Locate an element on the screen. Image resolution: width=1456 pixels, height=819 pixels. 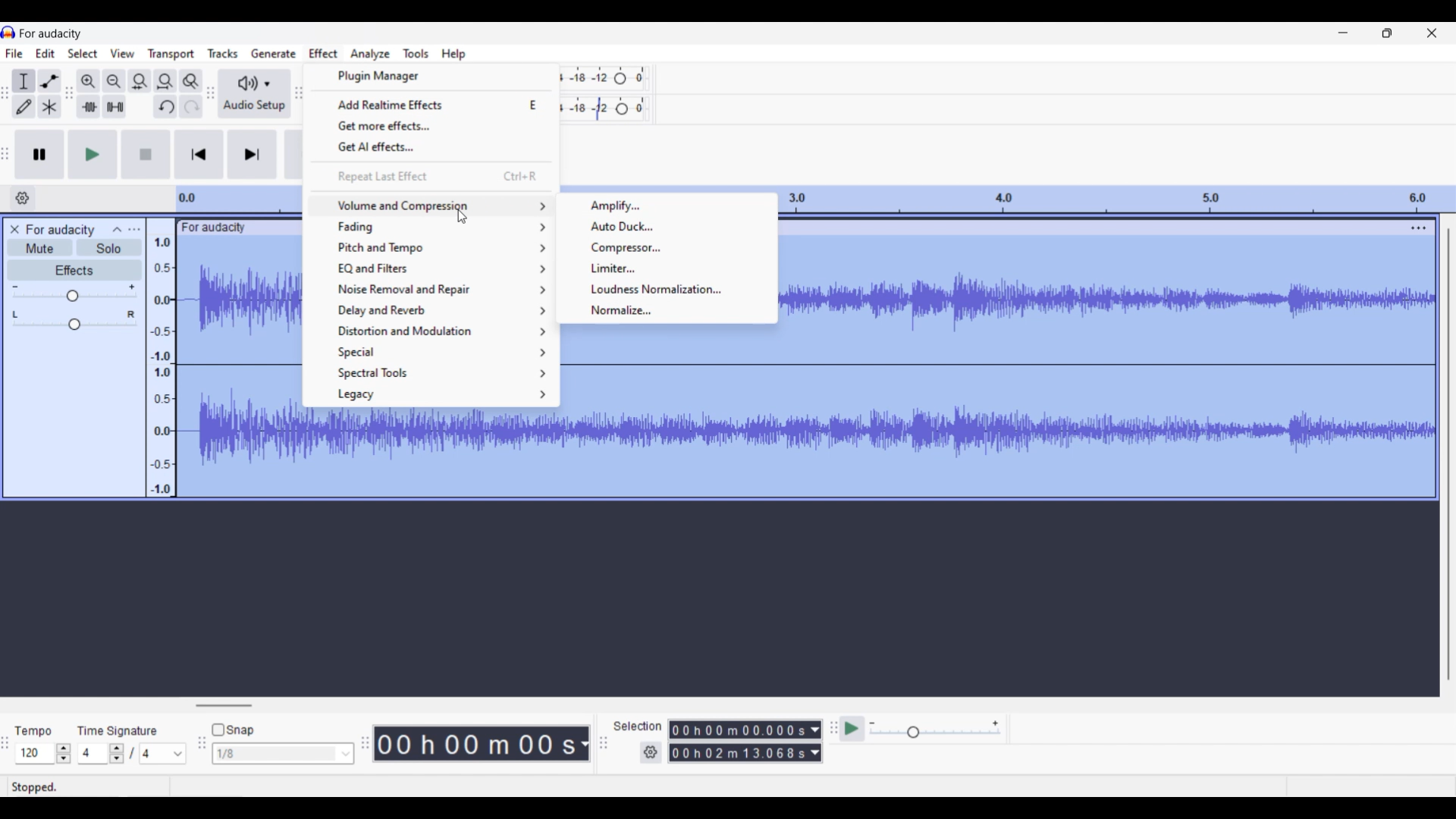
Skip/Select to end is located at coordinates (253, 155).